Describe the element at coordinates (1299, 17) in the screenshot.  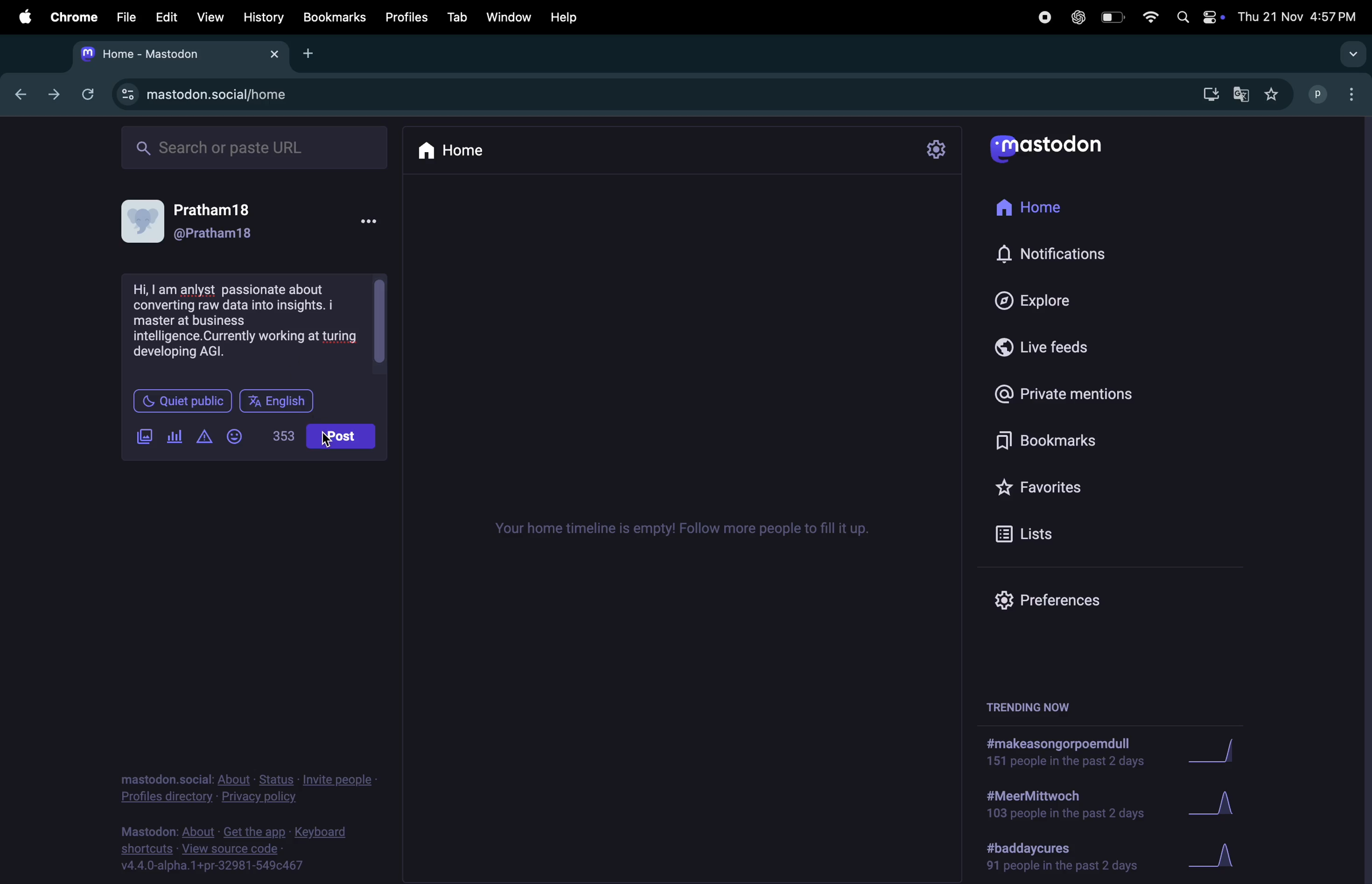
I see `date and time` at that location.